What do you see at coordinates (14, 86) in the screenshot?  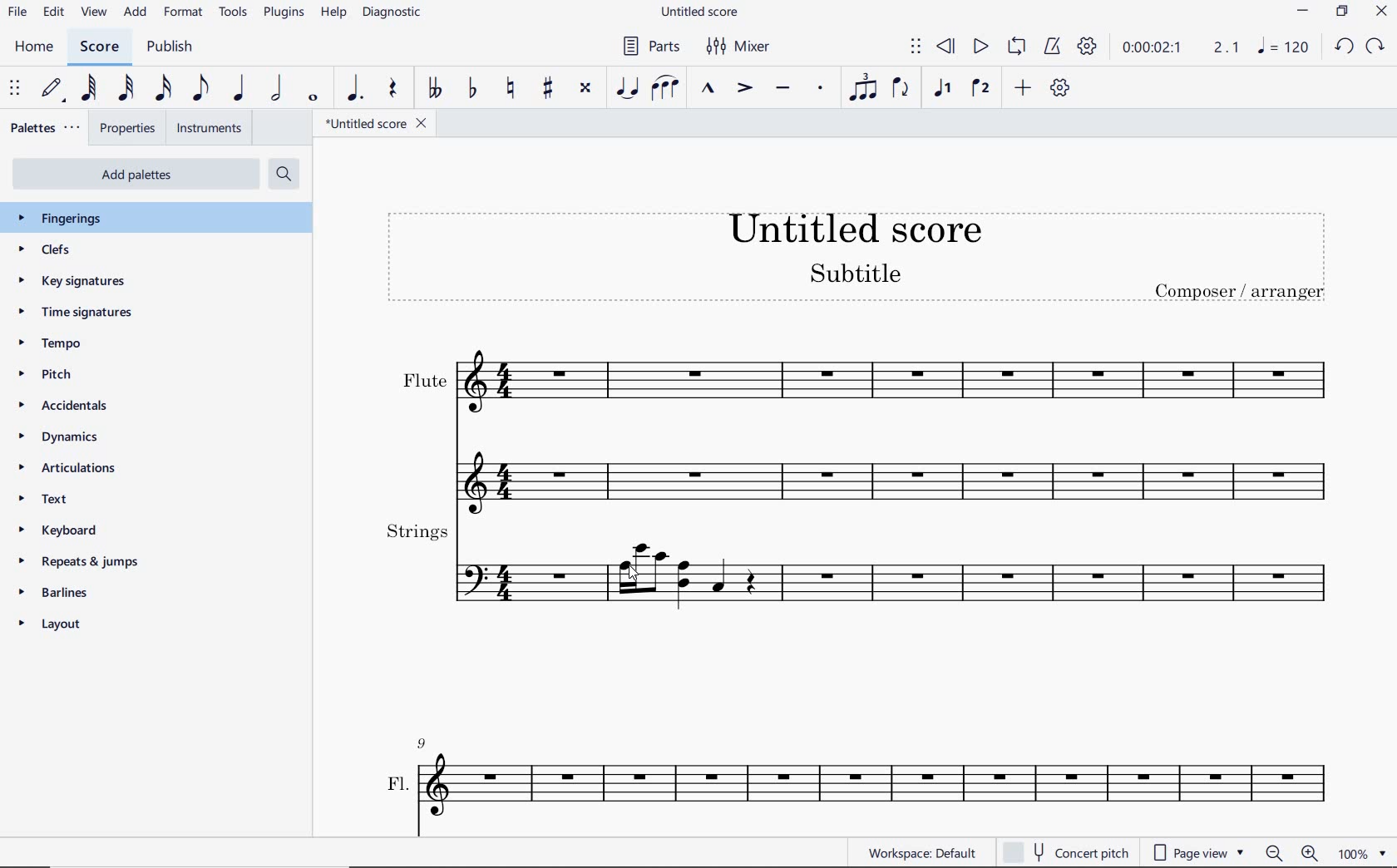 I see `select to move` at bounding box center [14, 86].